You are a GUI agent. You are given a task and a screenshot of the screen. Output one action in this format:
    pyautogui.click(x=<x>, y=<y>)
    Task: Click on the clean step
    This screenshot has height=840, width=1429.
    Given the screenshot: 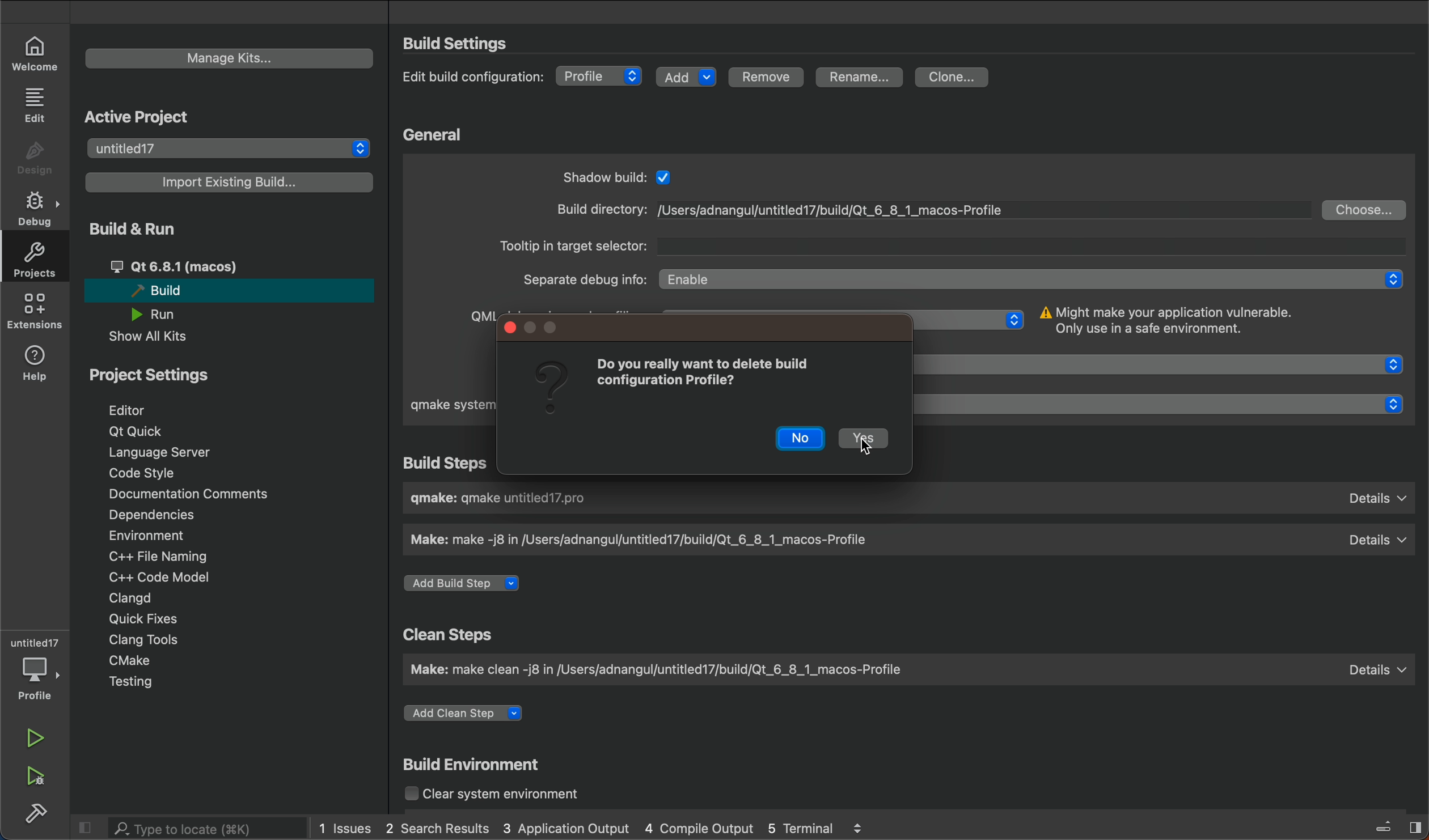 What is the action you would take?
    pyautogui.click(x=658, y=671)
    